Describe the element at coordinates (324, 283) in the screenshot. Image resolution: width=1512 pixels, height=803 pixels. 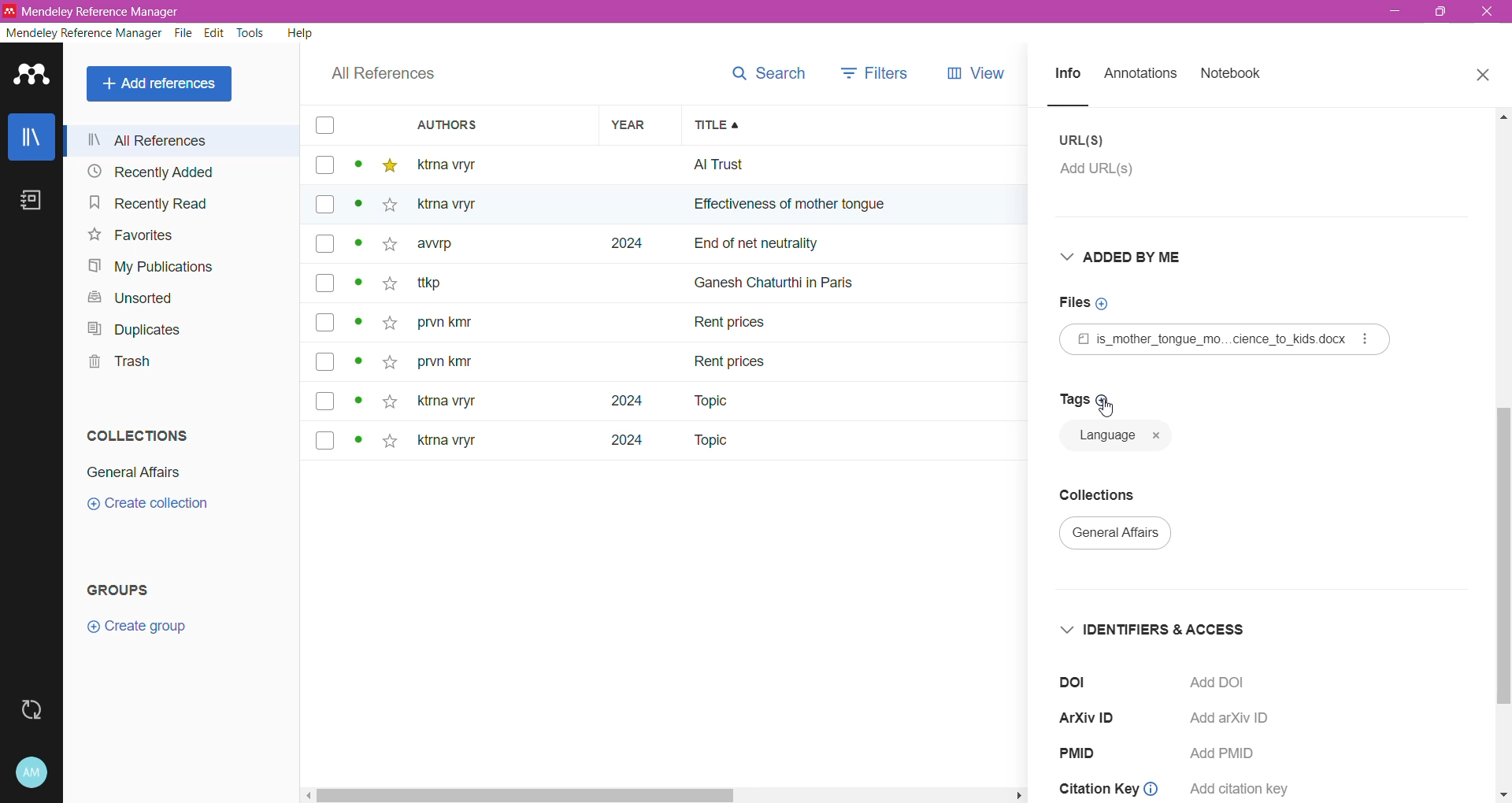
I see `box` at that location.